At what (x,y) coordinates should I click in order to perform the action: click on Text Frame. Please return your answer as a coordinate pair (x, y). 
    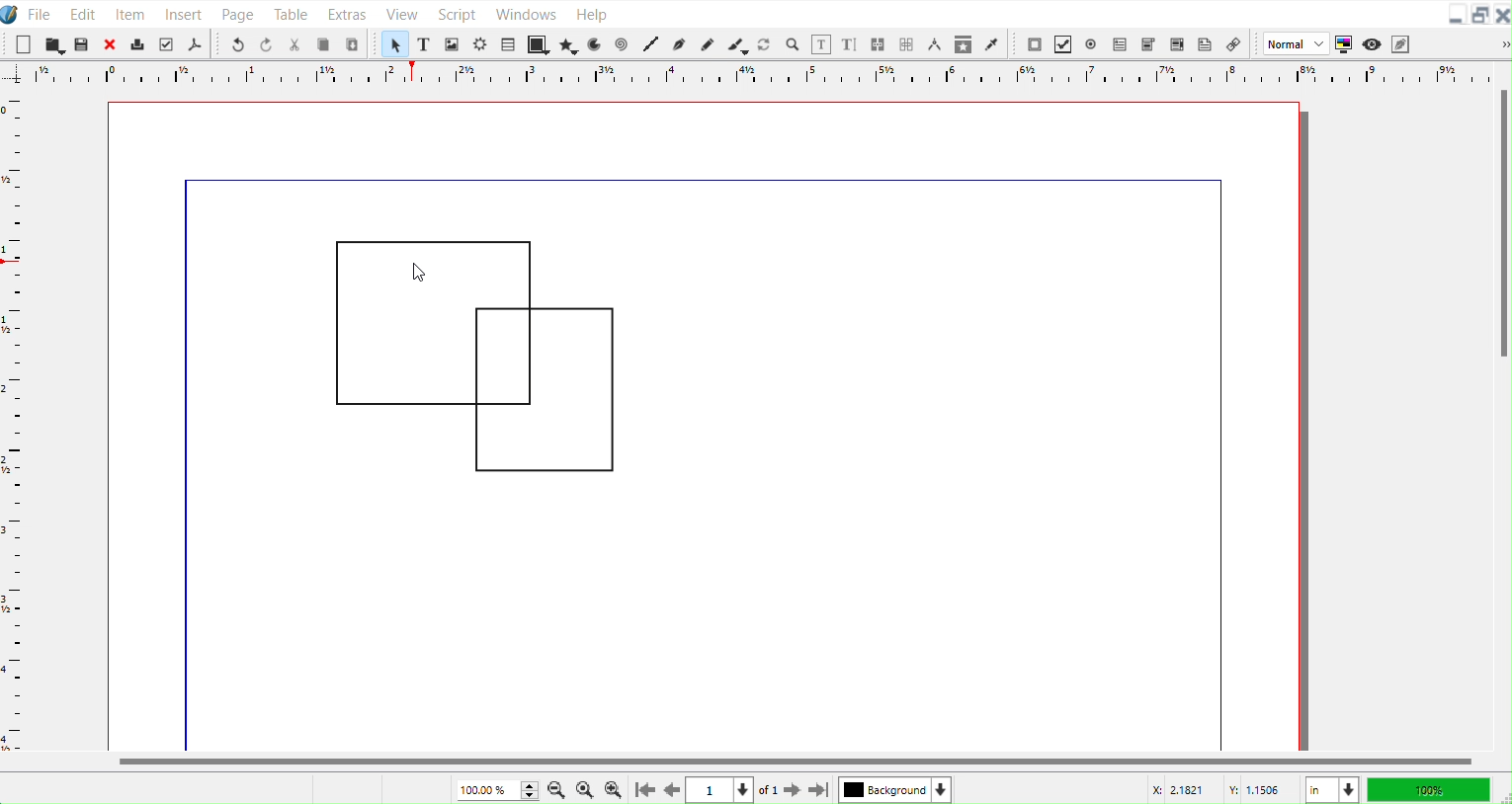
    Looking at the image, I should click on (425, 43).